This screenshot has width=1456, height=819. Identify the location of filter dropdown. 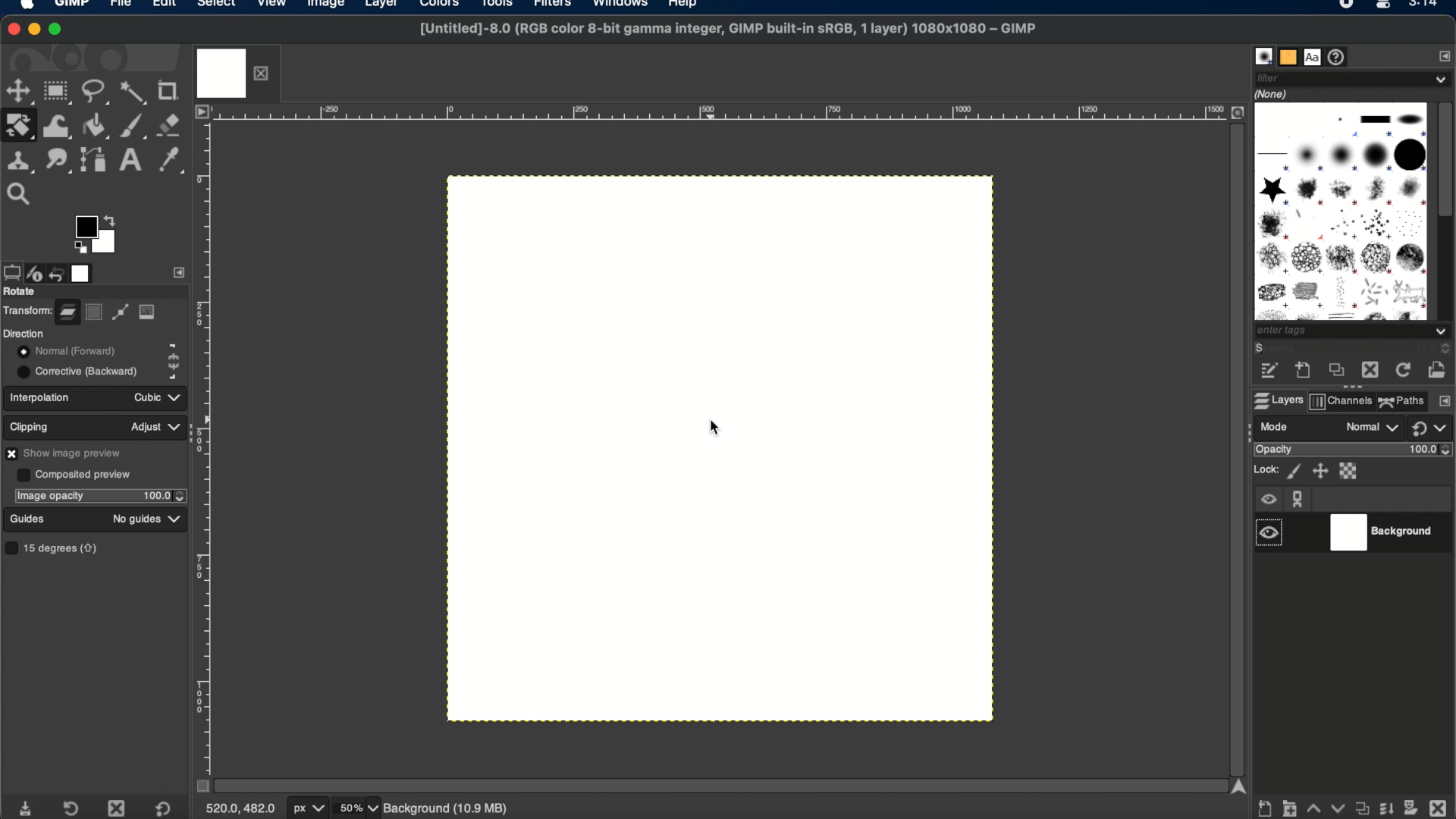
(1353, 78).